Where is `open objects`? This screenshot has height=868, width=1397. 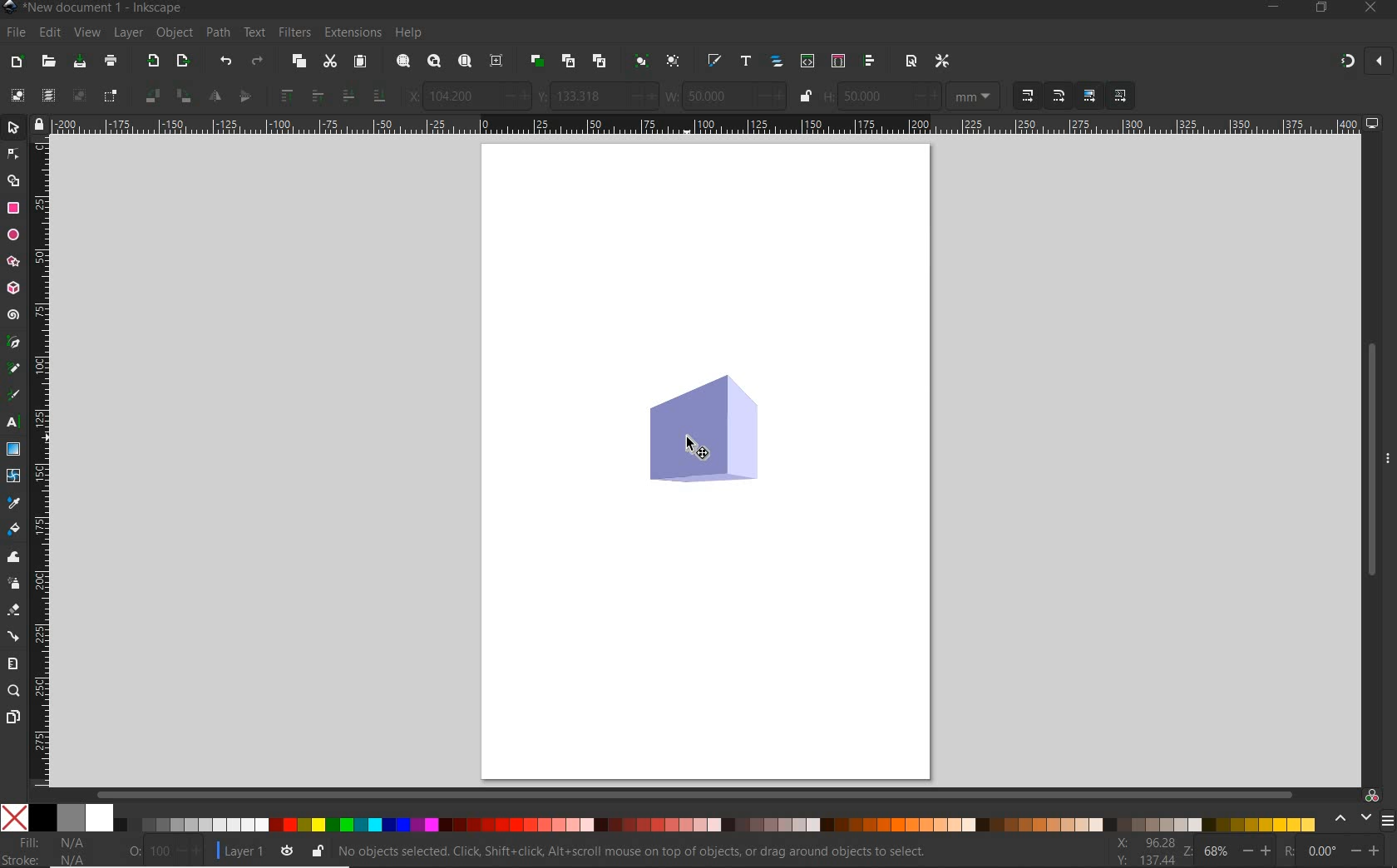
open objects is located at coordinates (777, 60).